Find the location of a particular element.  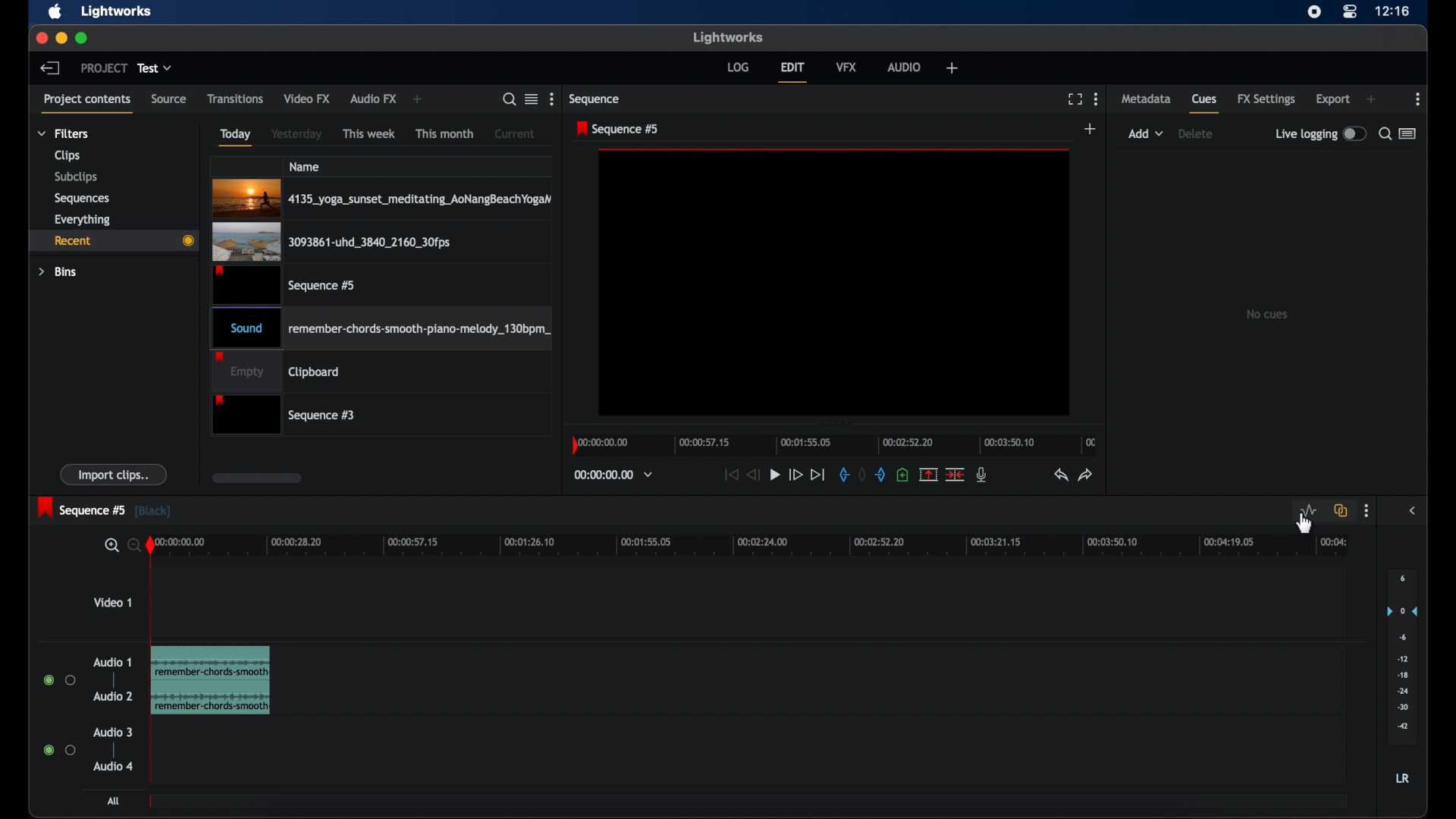

video 1 is located at coordinates (112, 602).